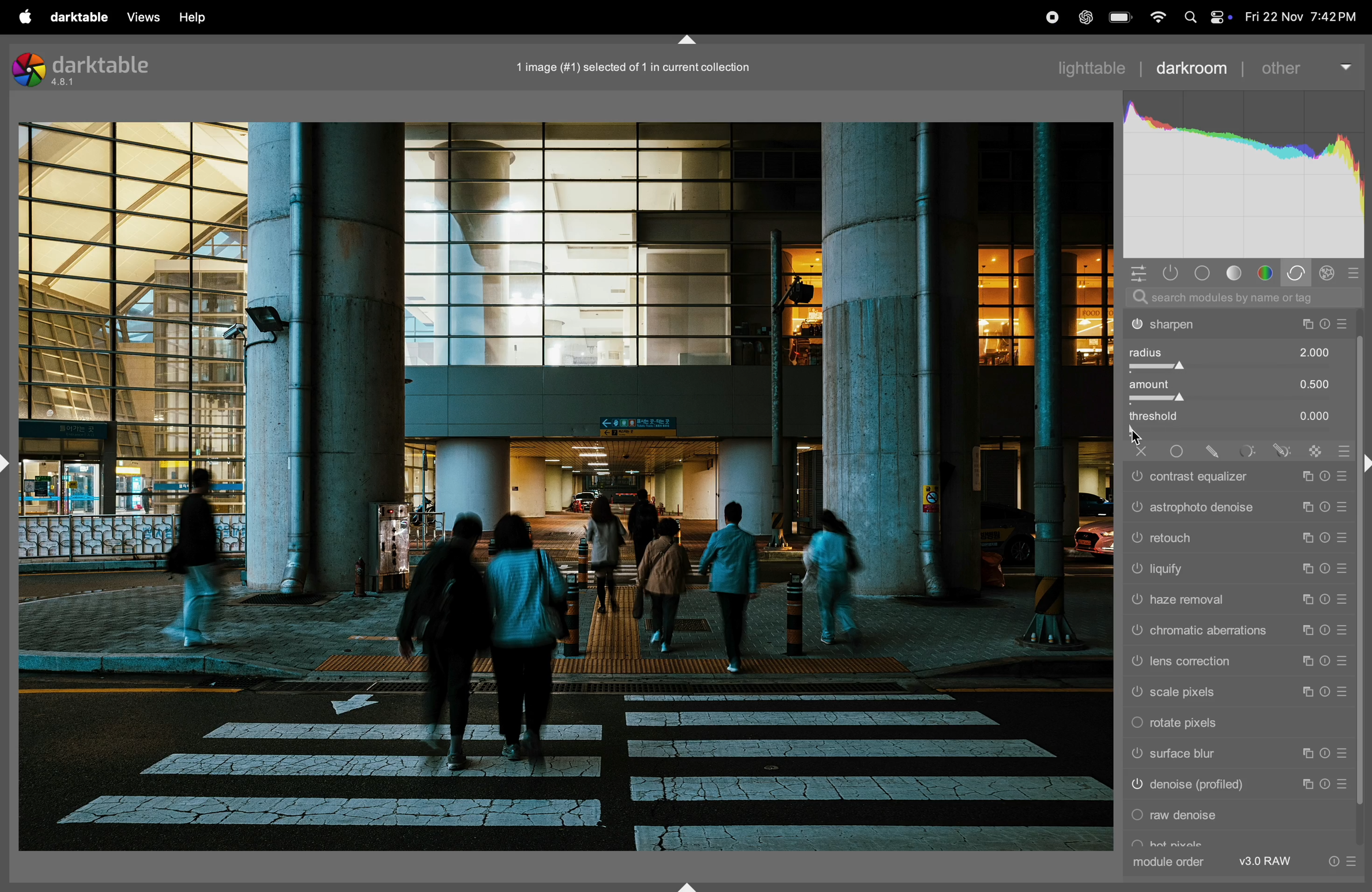 This screenshot has width=1372, height=892. What do you see at coordinates (1237, 632) in the screenshot?
I see `chromatic abbretations` at bounding box center [1237, 632].